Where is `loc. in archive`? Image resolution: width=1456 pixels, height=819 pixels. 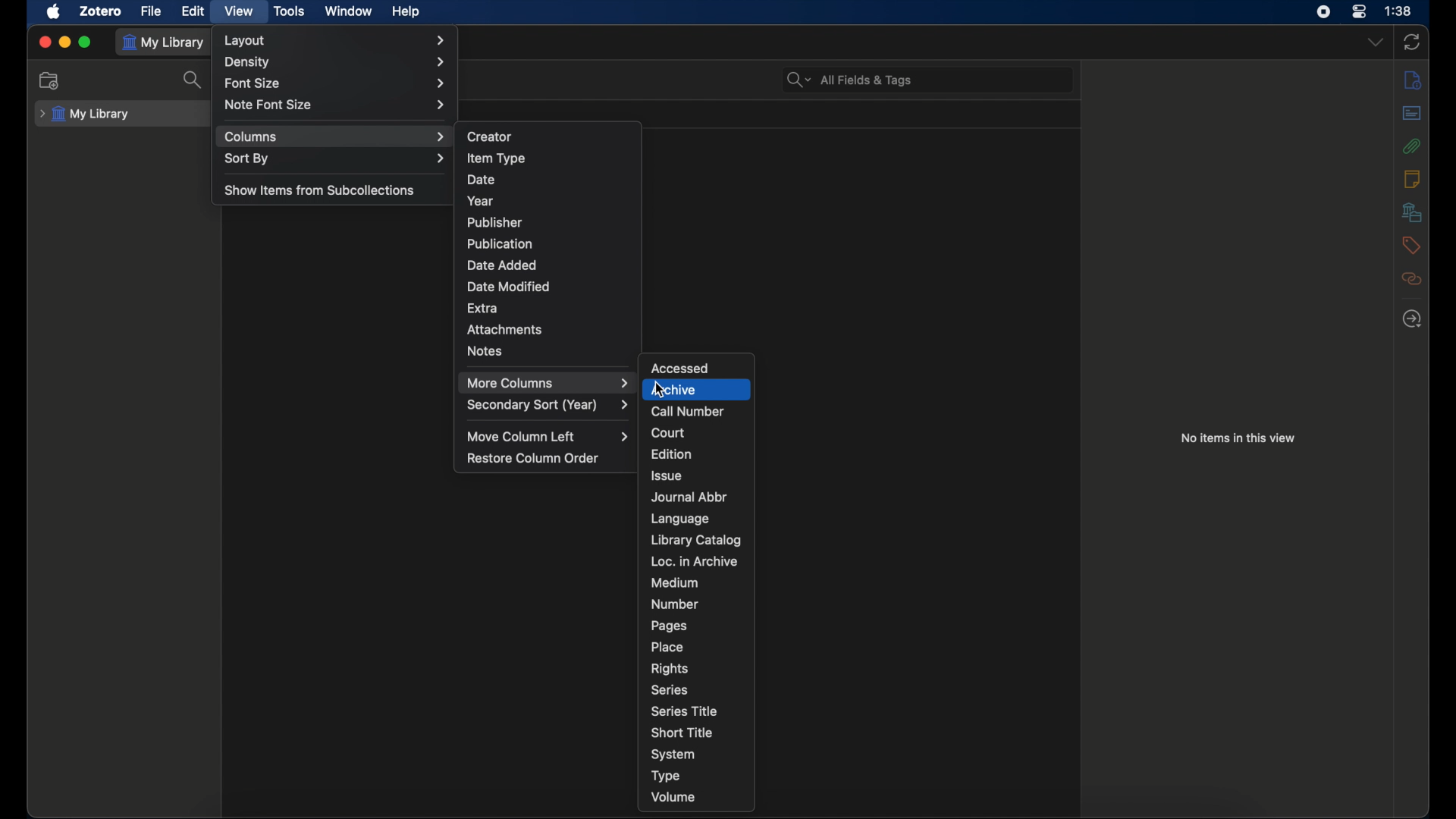
loc. in archive is located at coordinates (695, 562).